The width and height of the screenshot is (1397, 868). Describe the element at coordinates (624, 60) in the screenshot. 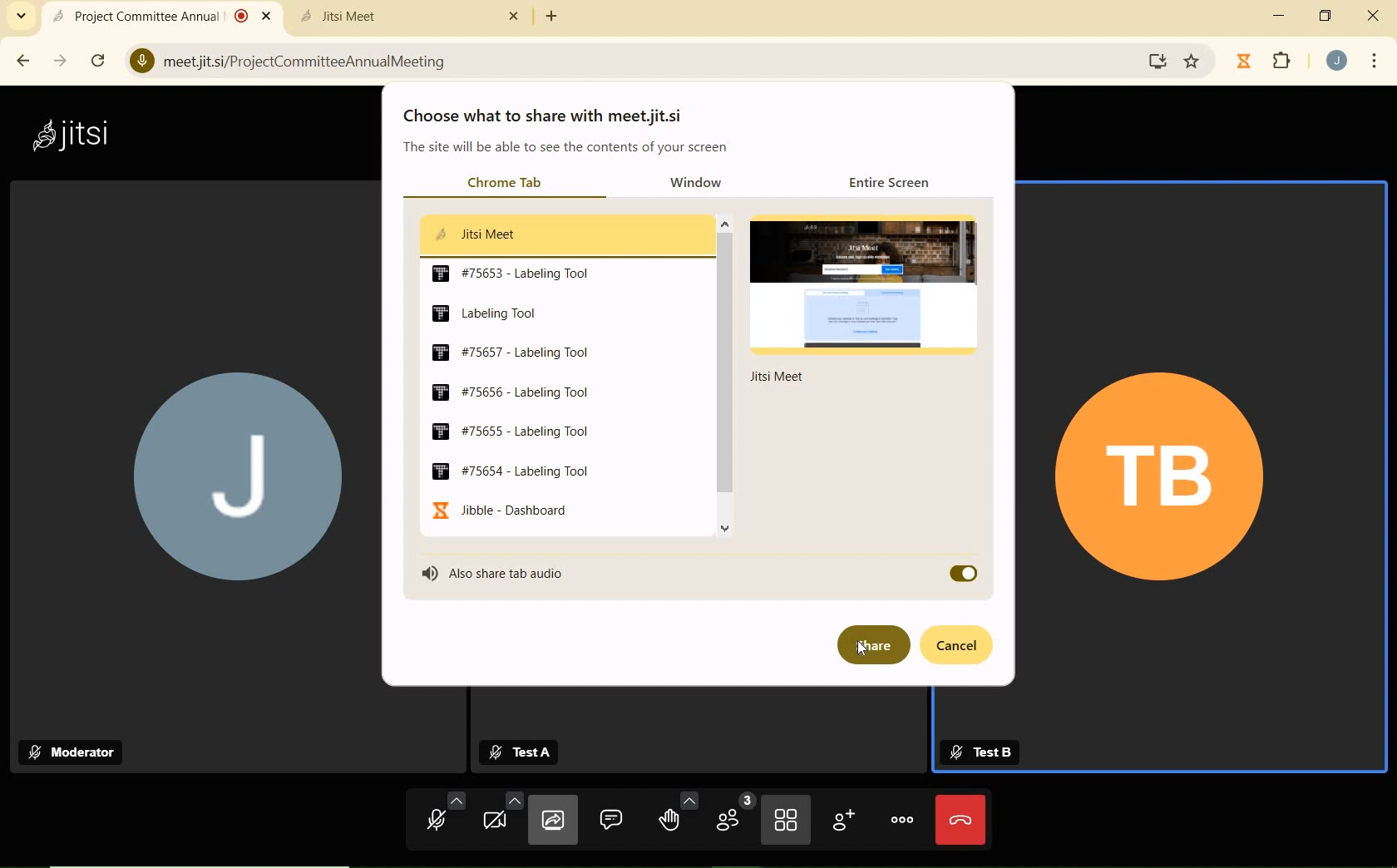

I see `meetjit.si/ProjectCommitteeAnnualMeeting` at that location.